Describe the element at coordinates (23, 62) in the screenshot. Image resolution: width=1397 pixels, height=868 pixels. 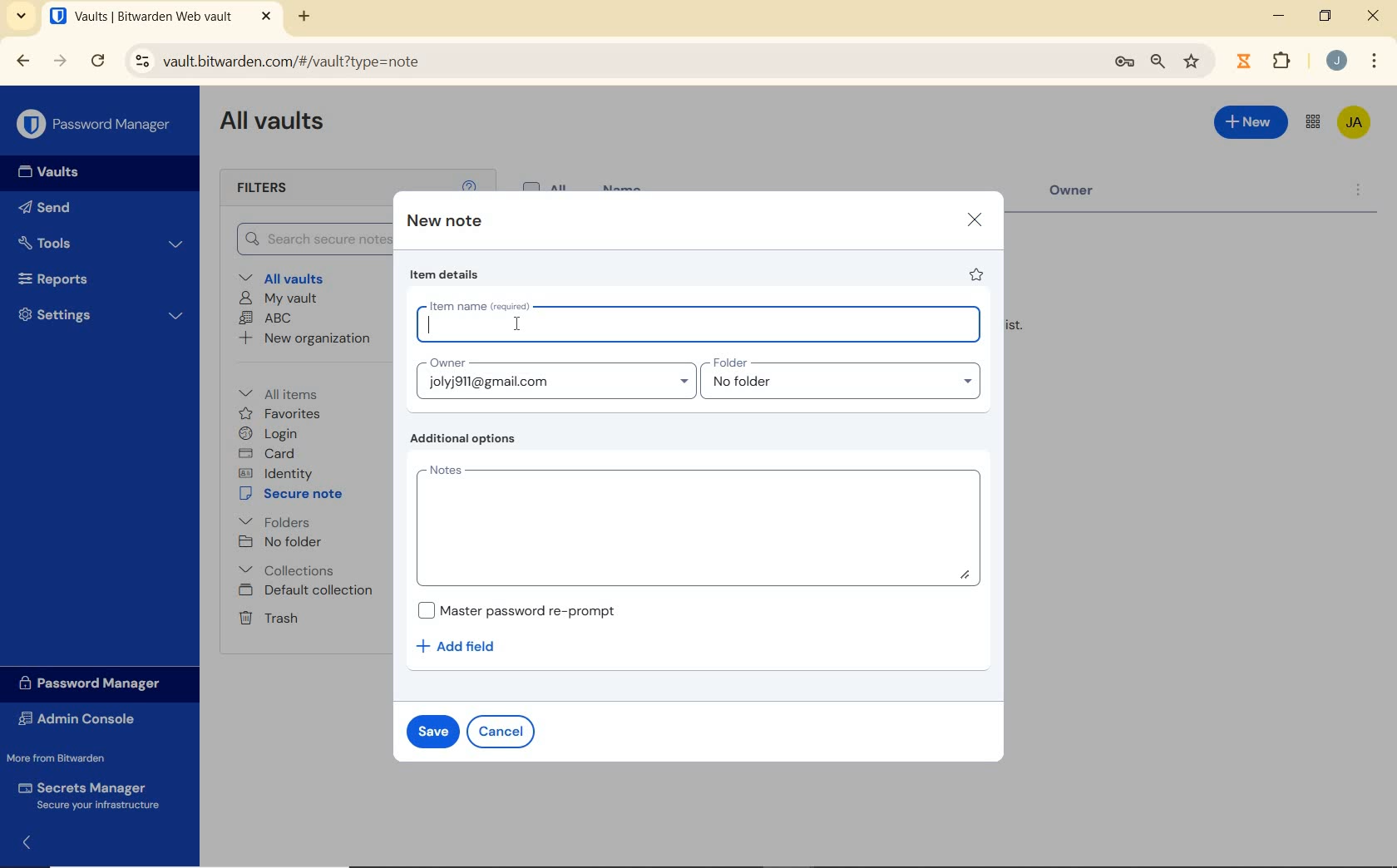
I see `backward` at that location.